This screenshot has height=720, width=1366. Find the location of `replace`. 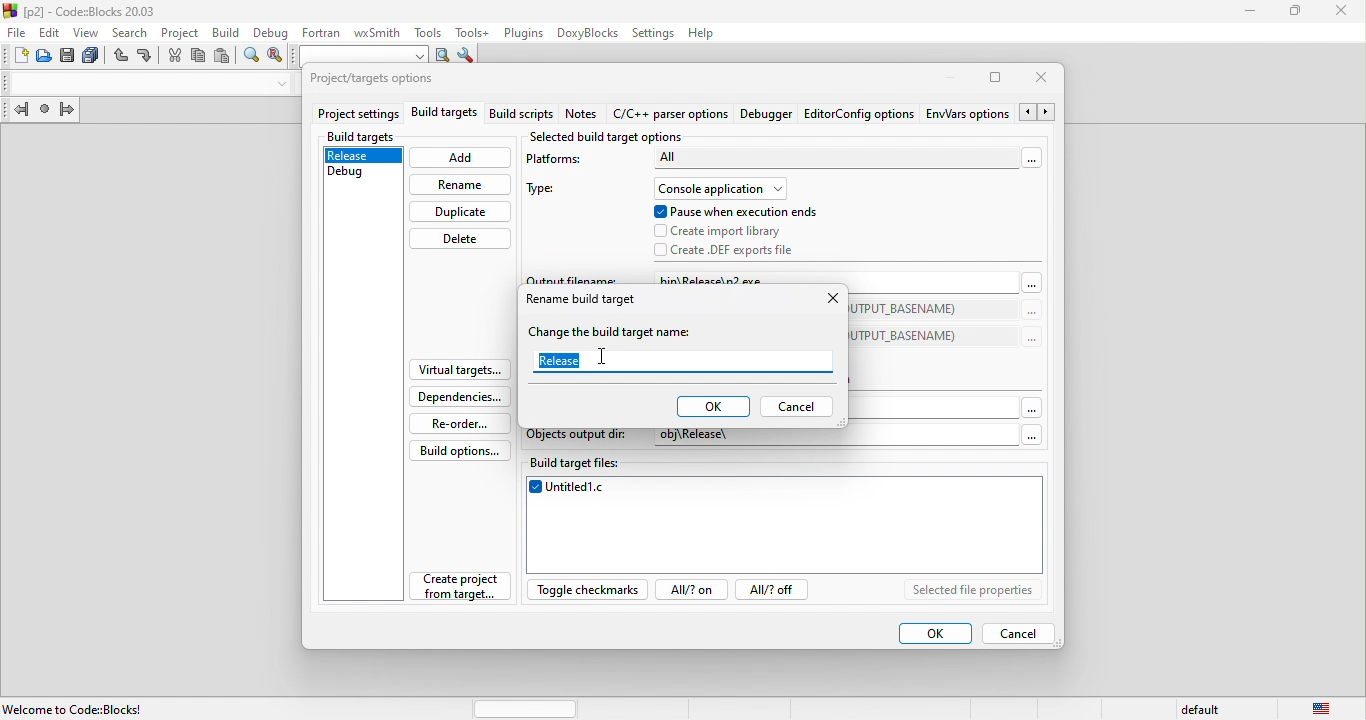

replace is located at coordinates (275, 57).